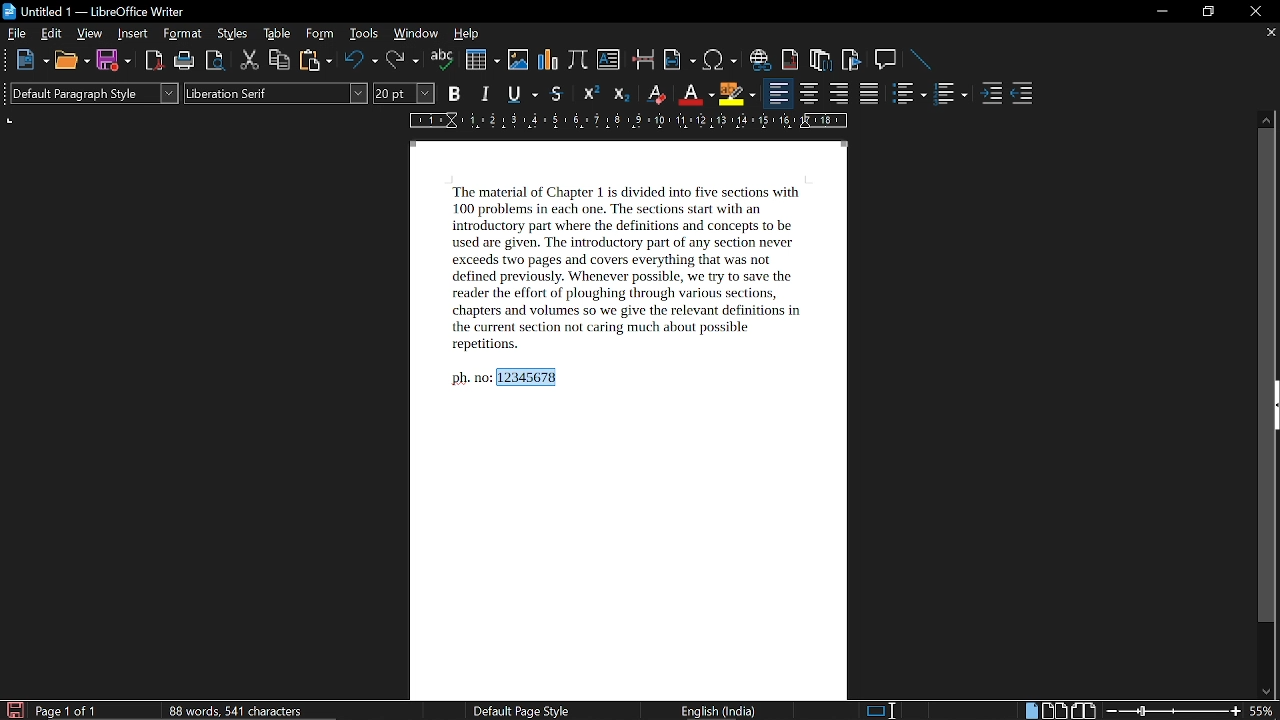 Image resolution: width=1280 pixels, height=720 pixels. I want to click on font size, so click(405, 94).